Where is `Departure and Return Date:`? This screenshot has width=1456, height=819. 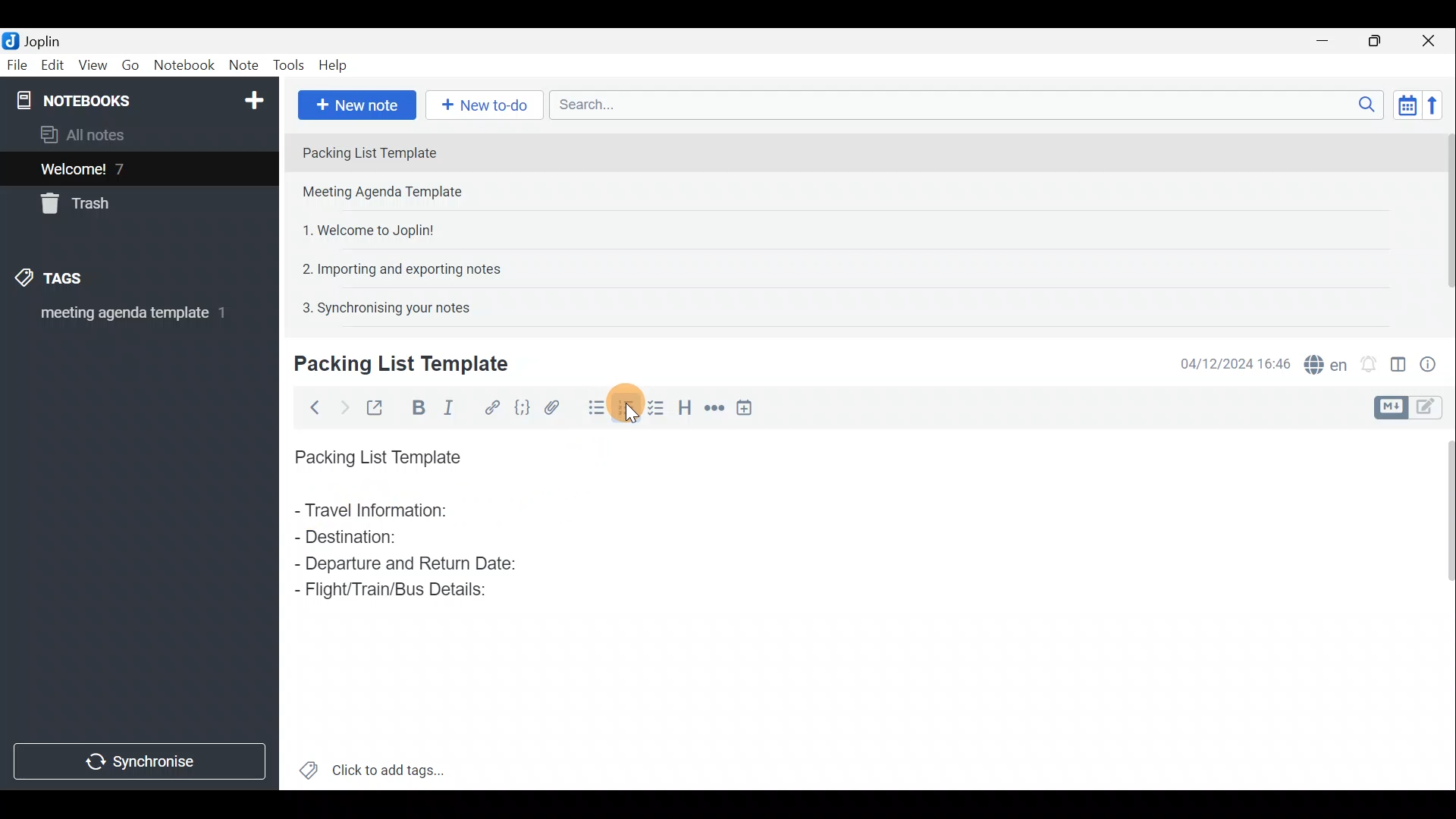
Departure and Return Date: is located at coordinates (406, 563).